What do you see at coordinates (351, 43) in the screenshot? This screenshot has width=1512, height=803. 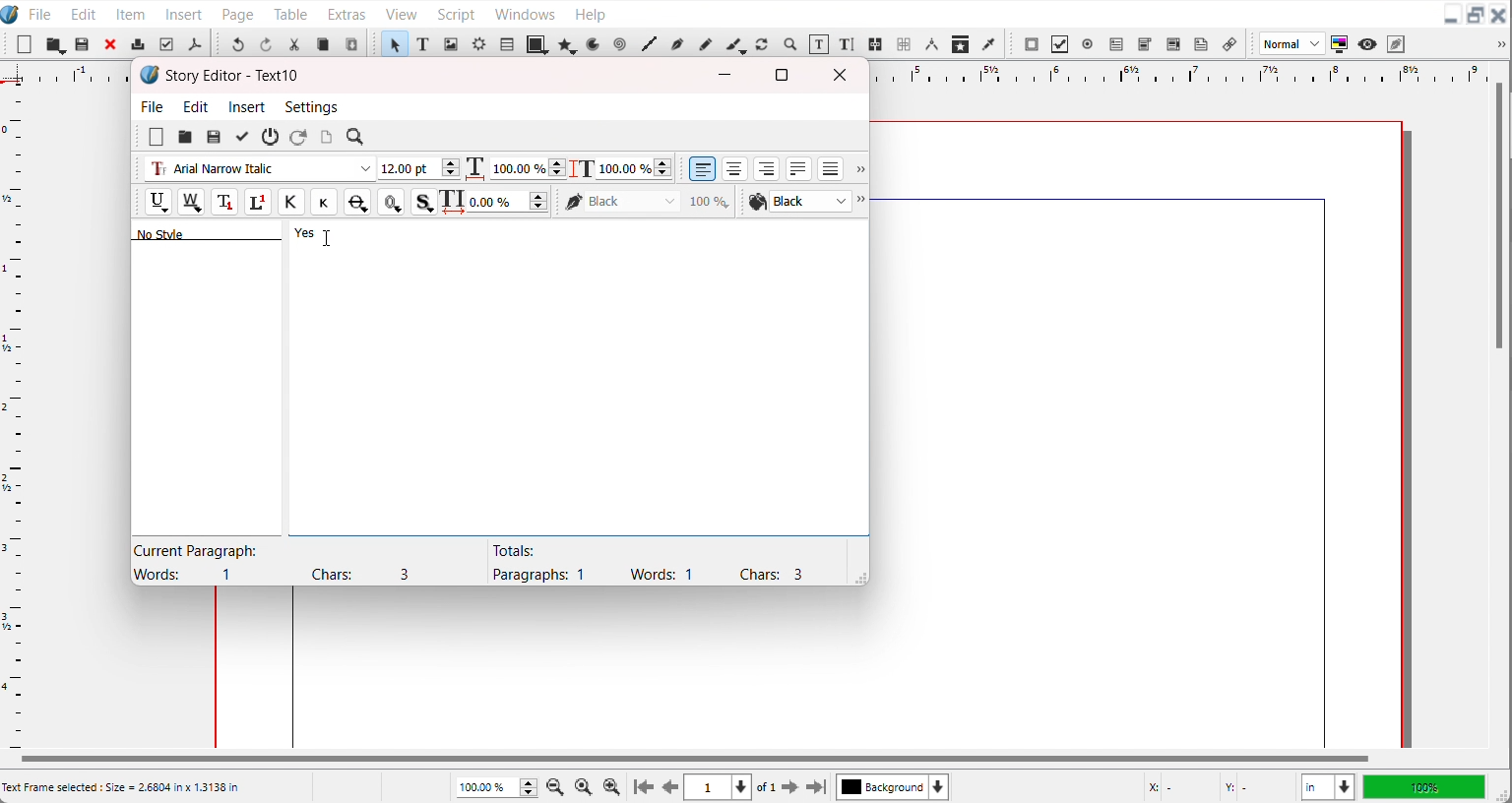 I see `Paste` at bounding box center [351, 43].